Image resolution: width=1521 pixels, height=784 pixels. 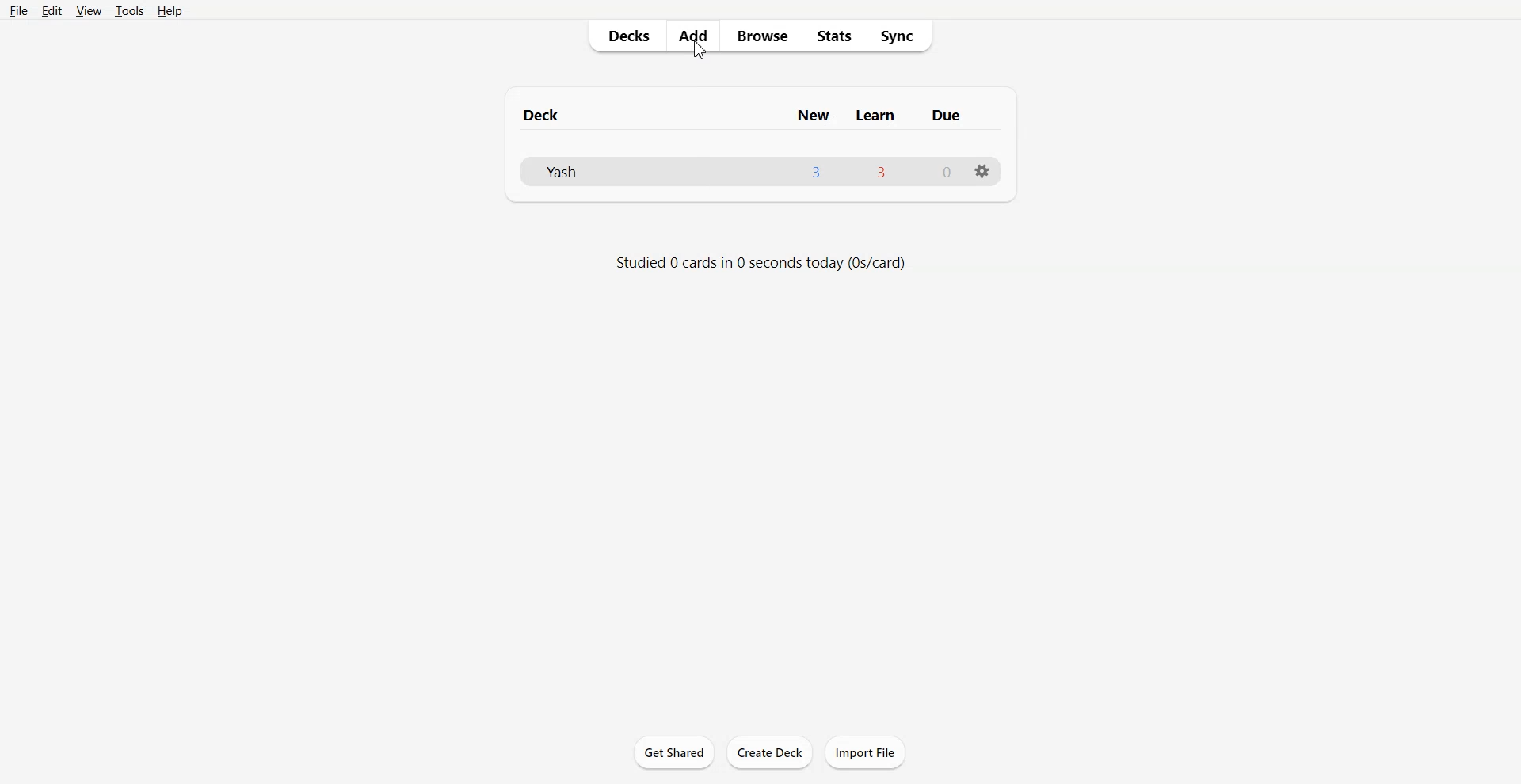 I want to click on Get Shared, so click(x=673, y=752).